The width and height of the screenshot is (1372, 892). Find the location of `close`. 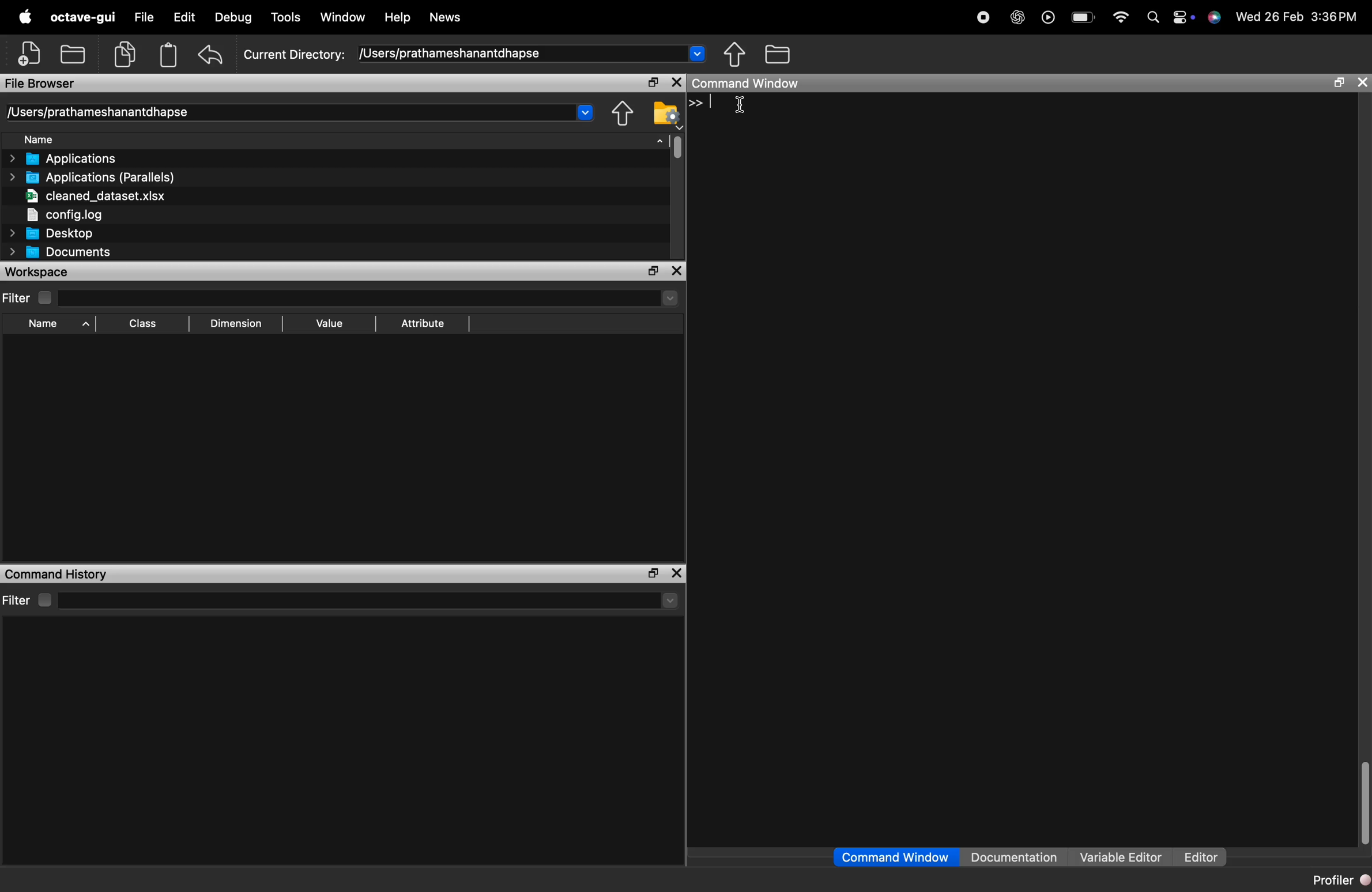

close is located at coordinates (675, 271).